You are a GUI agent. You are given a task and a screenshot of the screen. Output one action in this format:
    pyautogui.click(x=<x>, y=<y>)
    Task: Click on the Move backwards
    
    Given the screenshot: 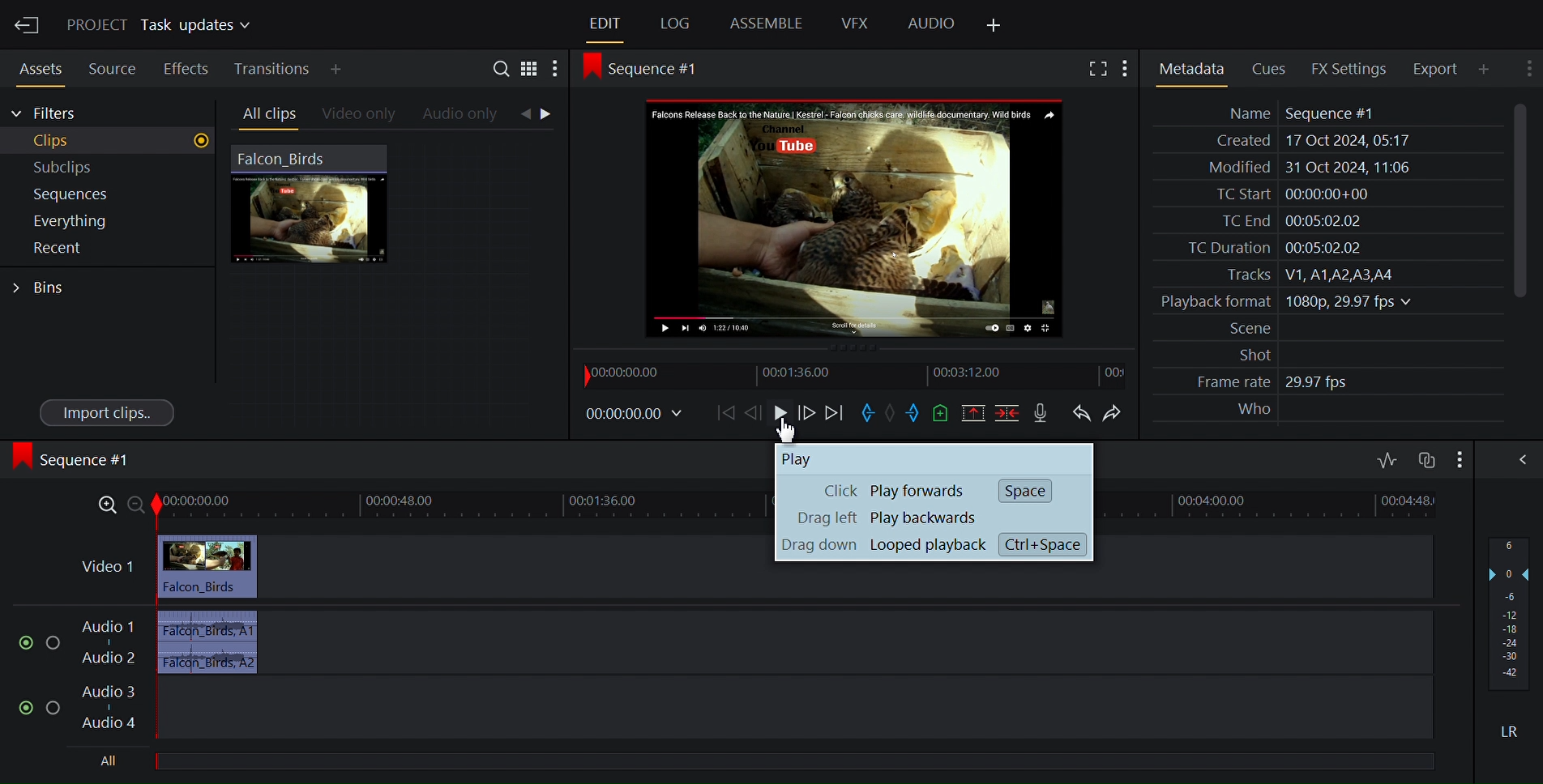 What is the action you would take?
    pyautogui.click(x=835, y=413)
    